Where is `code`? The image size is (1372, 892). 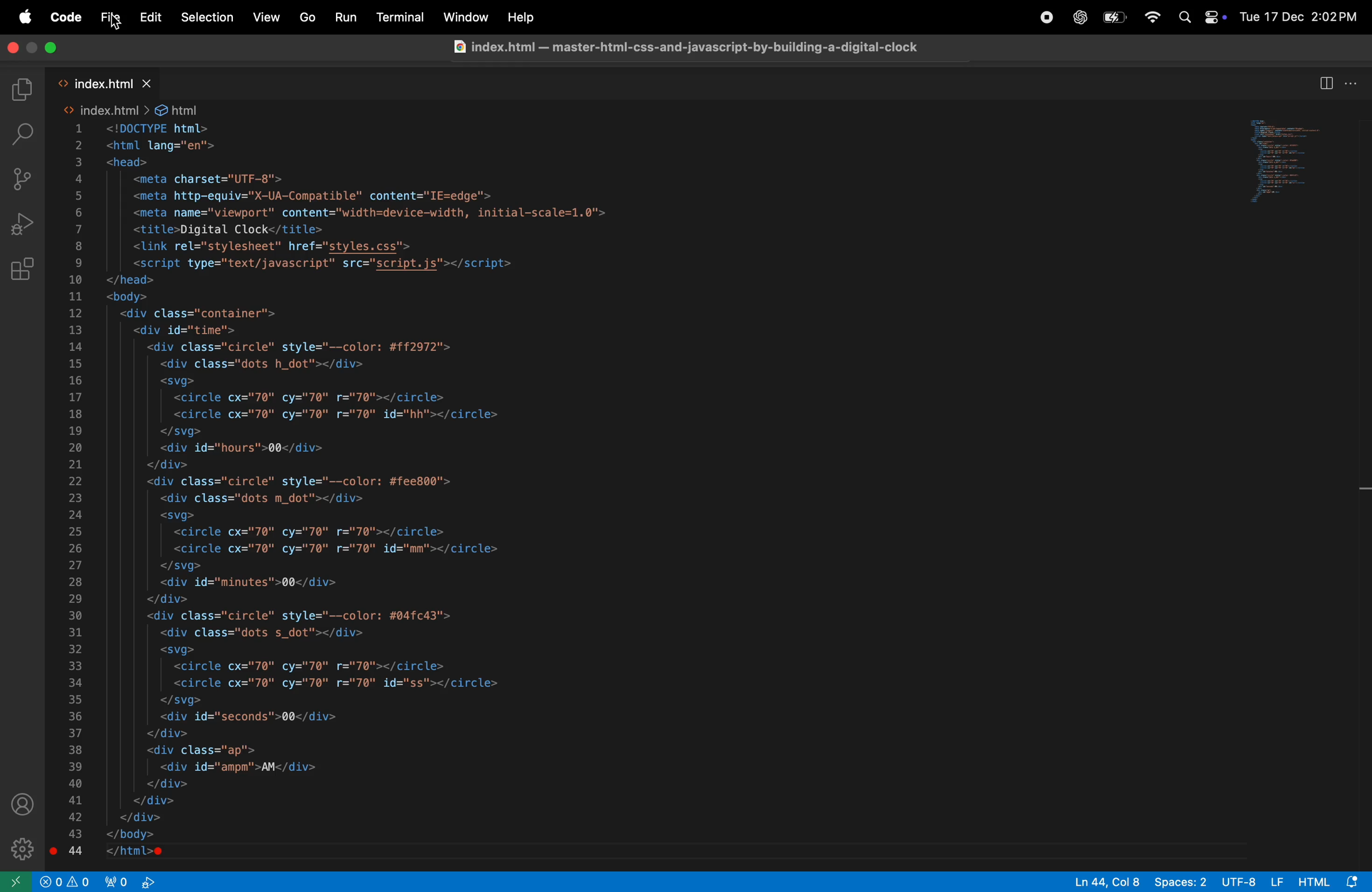 code is located at coordinates (65, 16).